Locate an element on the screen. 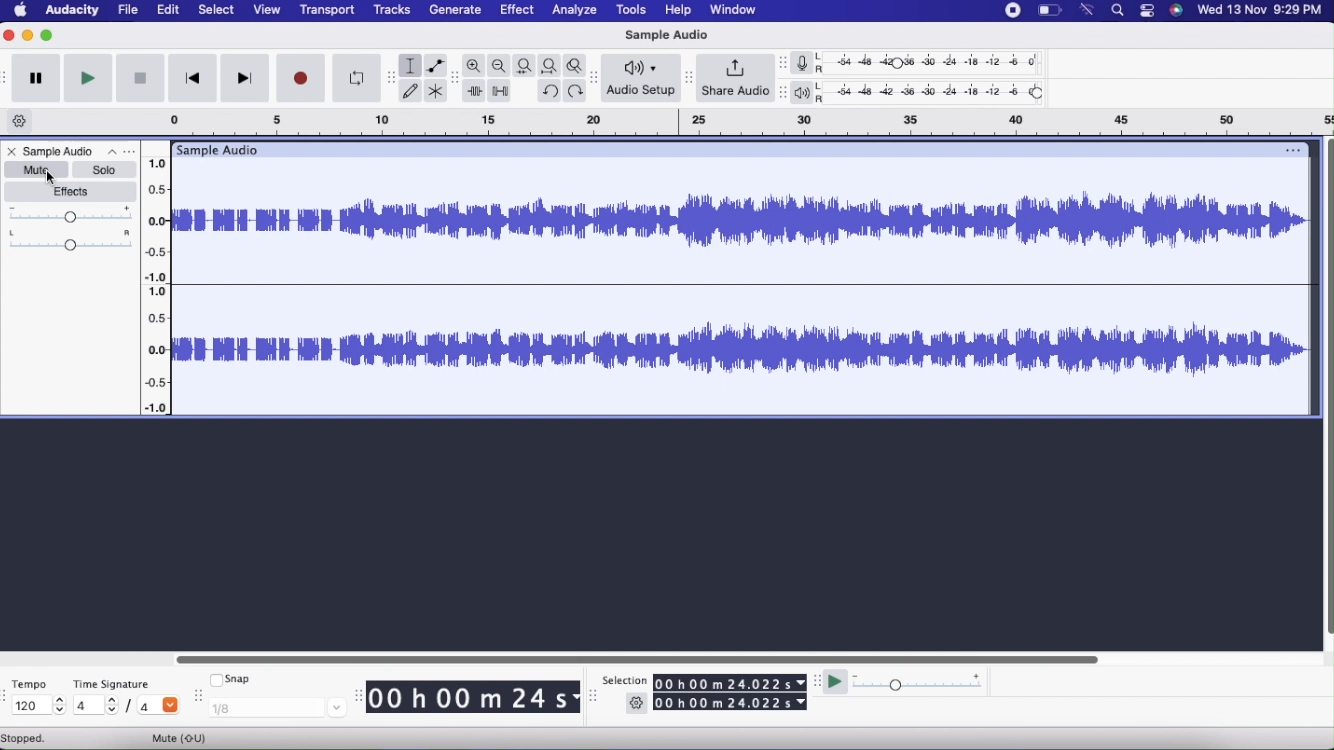  Minimize is located at coordinates (47, 38).